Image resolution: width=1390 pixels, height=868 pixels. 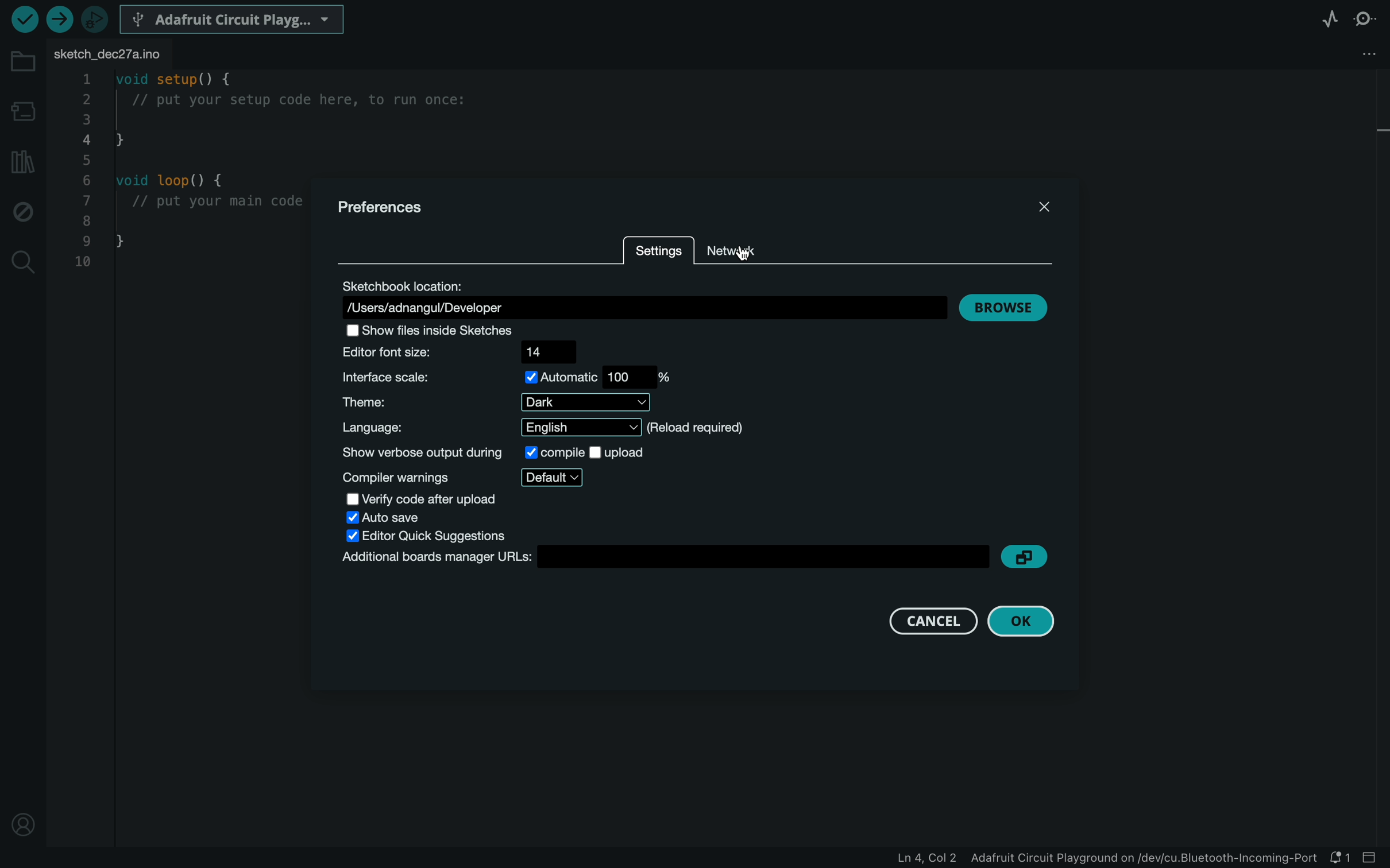 What do you see at coordinates (23, 162) in the screenshot?
I see `library manager` at bounding box center [23, 162].